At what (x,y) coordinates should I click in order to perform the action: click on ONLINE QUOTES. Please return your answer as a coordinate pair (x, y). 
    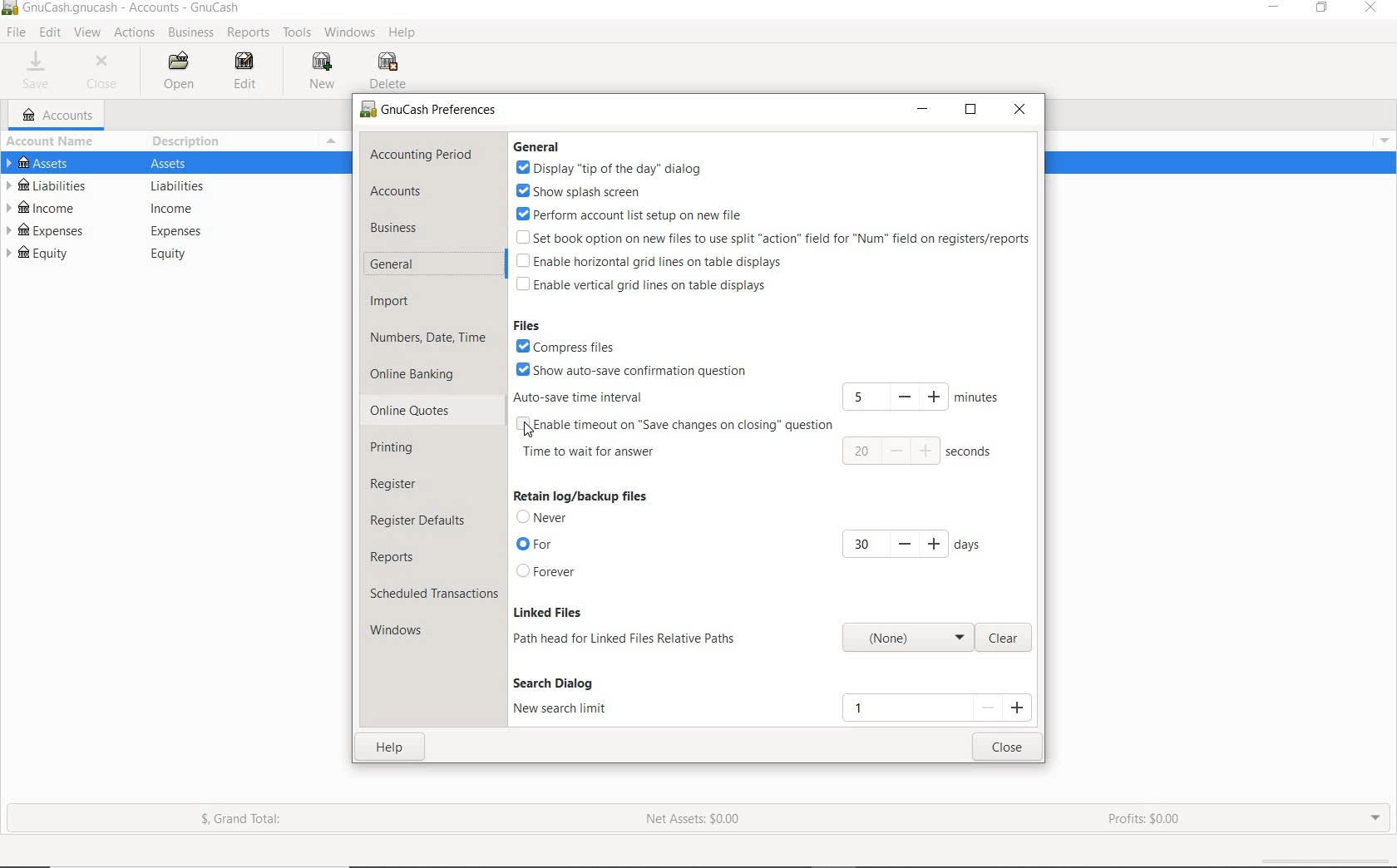
    Looking at the image, I should click on (412, 412).